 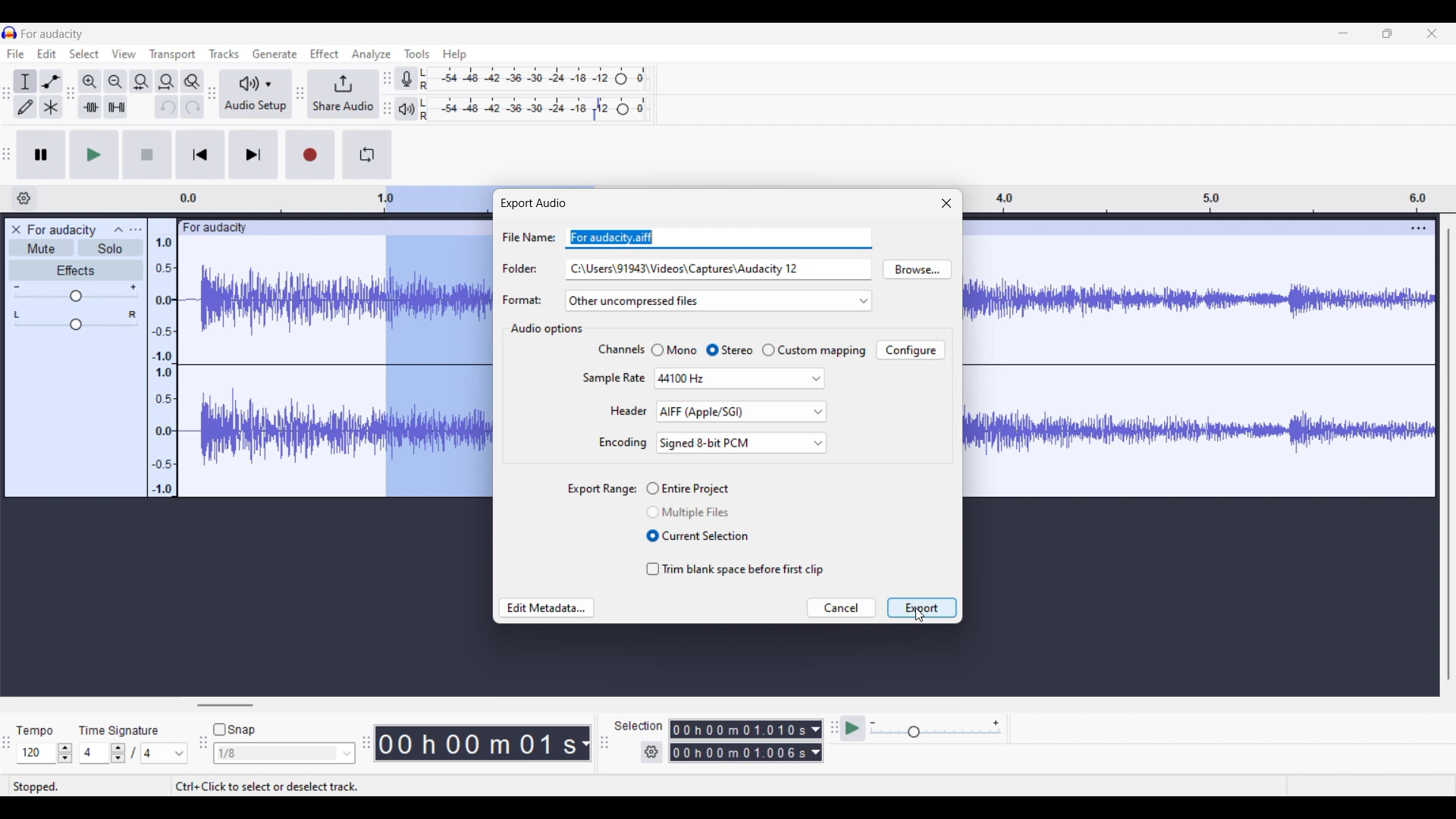 I want to click on Scale to measure intenssity of sound, so click(x=163, y=366).